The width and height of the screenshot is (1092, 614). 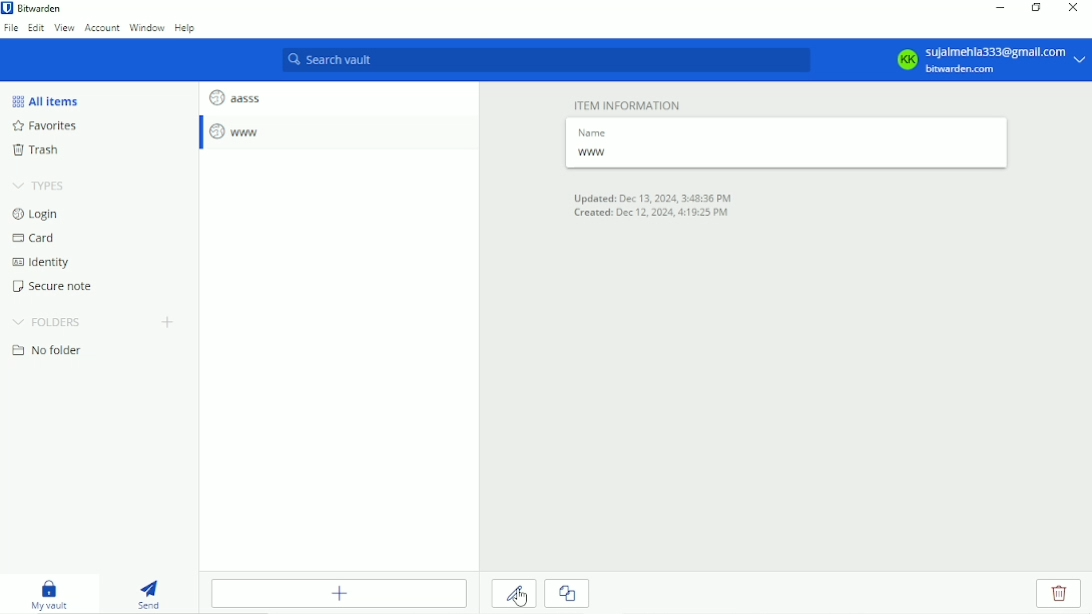 What do you see at coordinates (567, 592) in the screenshot?
I see `Cloe` at bounding box center [567, 592].